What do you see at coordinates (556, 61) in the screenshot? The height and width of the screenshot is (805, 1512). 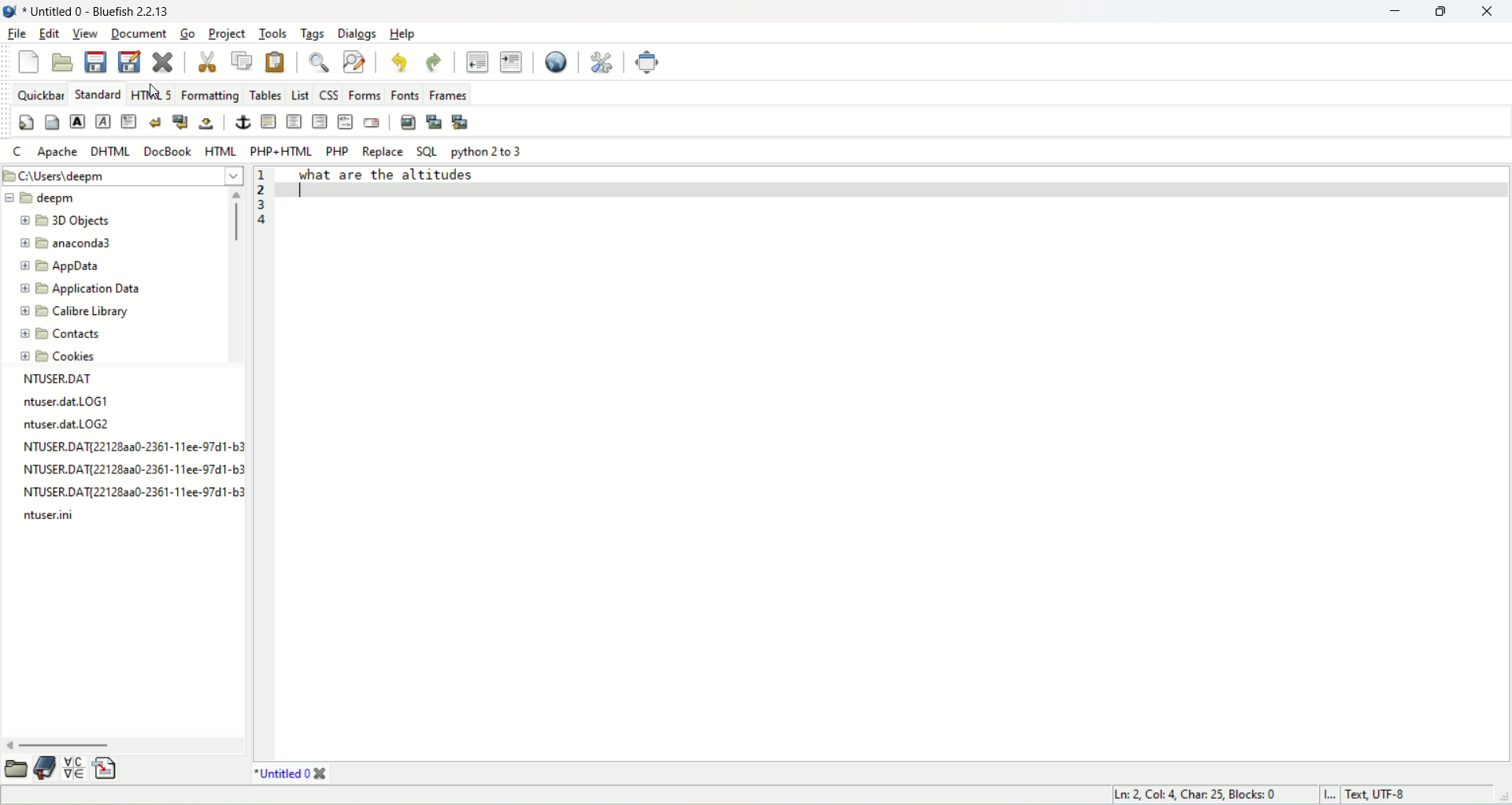 I see `preview in browser` at bounding box center [556, 61].